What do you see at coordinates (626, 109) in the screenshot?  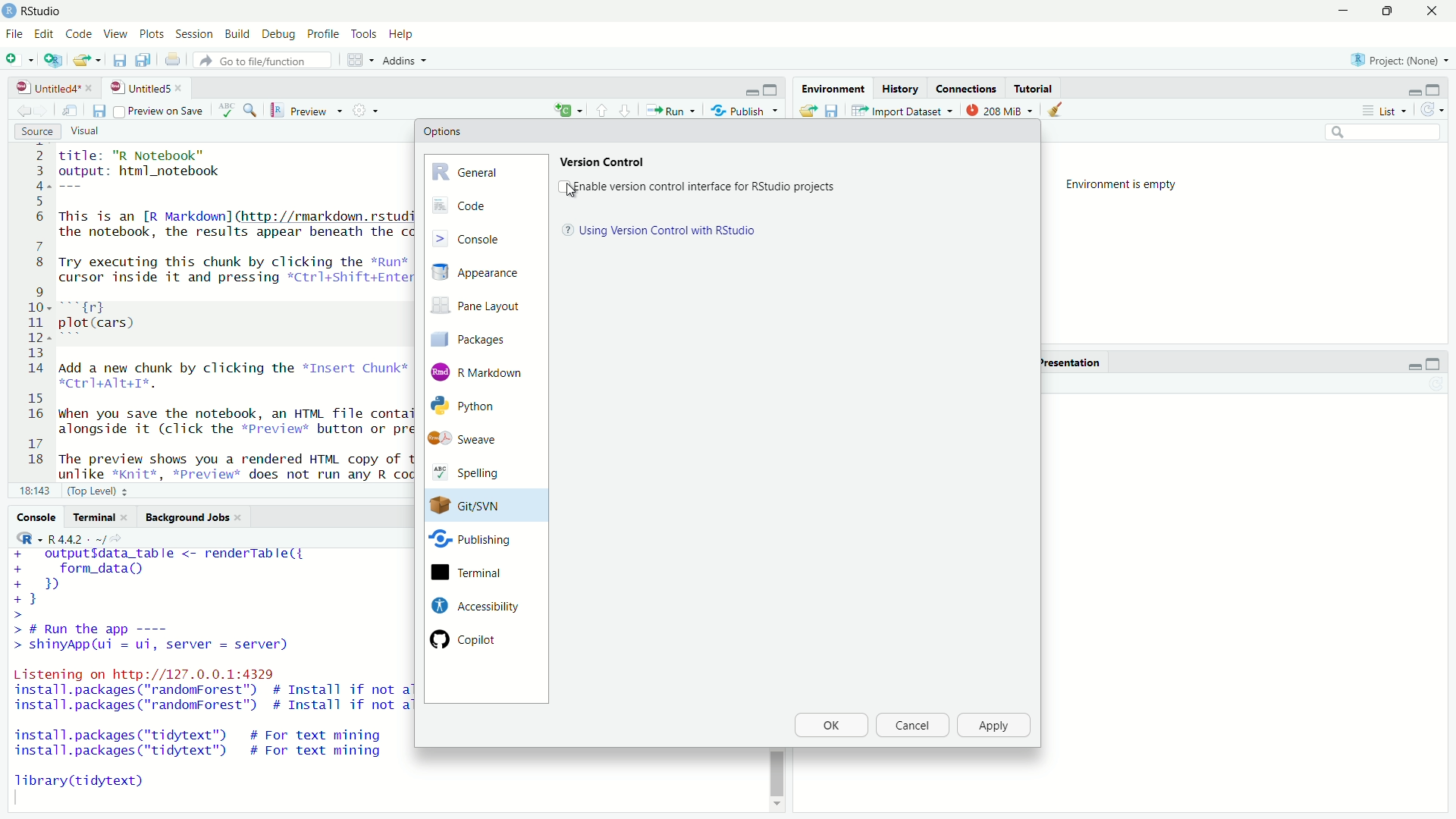 I see `up` at bounding box center [626, 109].